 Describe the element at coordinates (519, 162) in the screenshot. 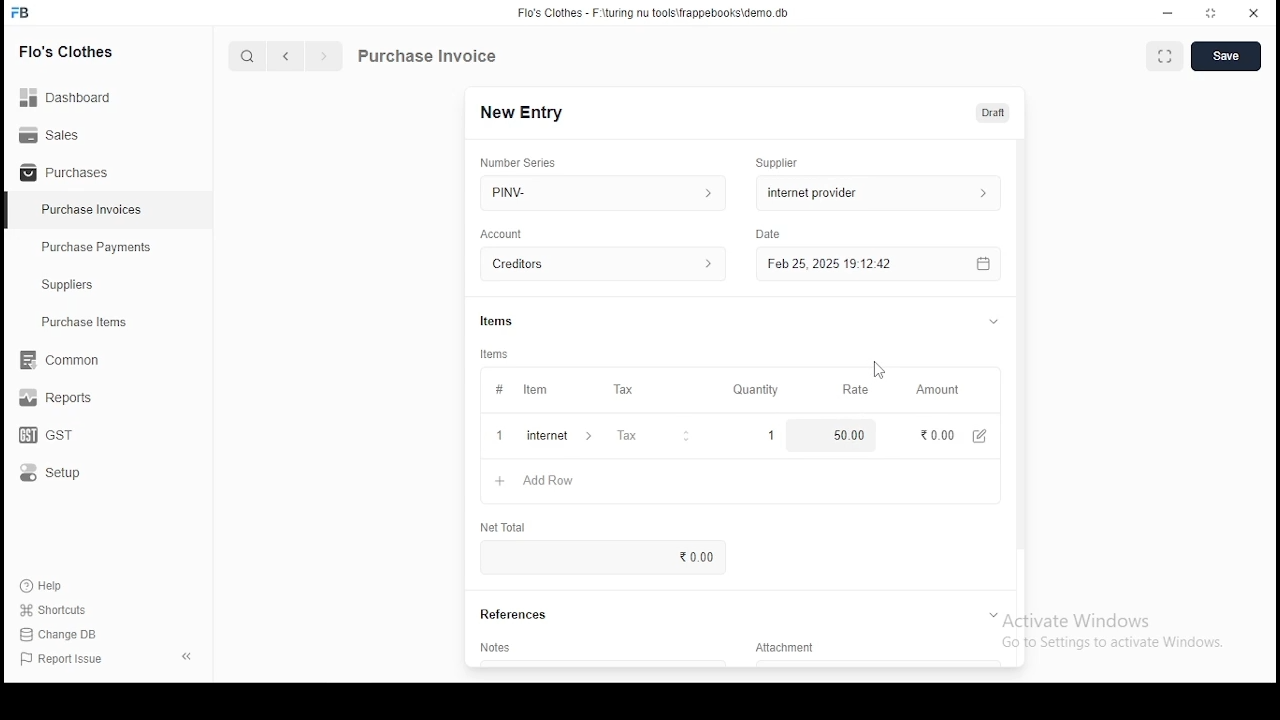

I see `number series` at that location.